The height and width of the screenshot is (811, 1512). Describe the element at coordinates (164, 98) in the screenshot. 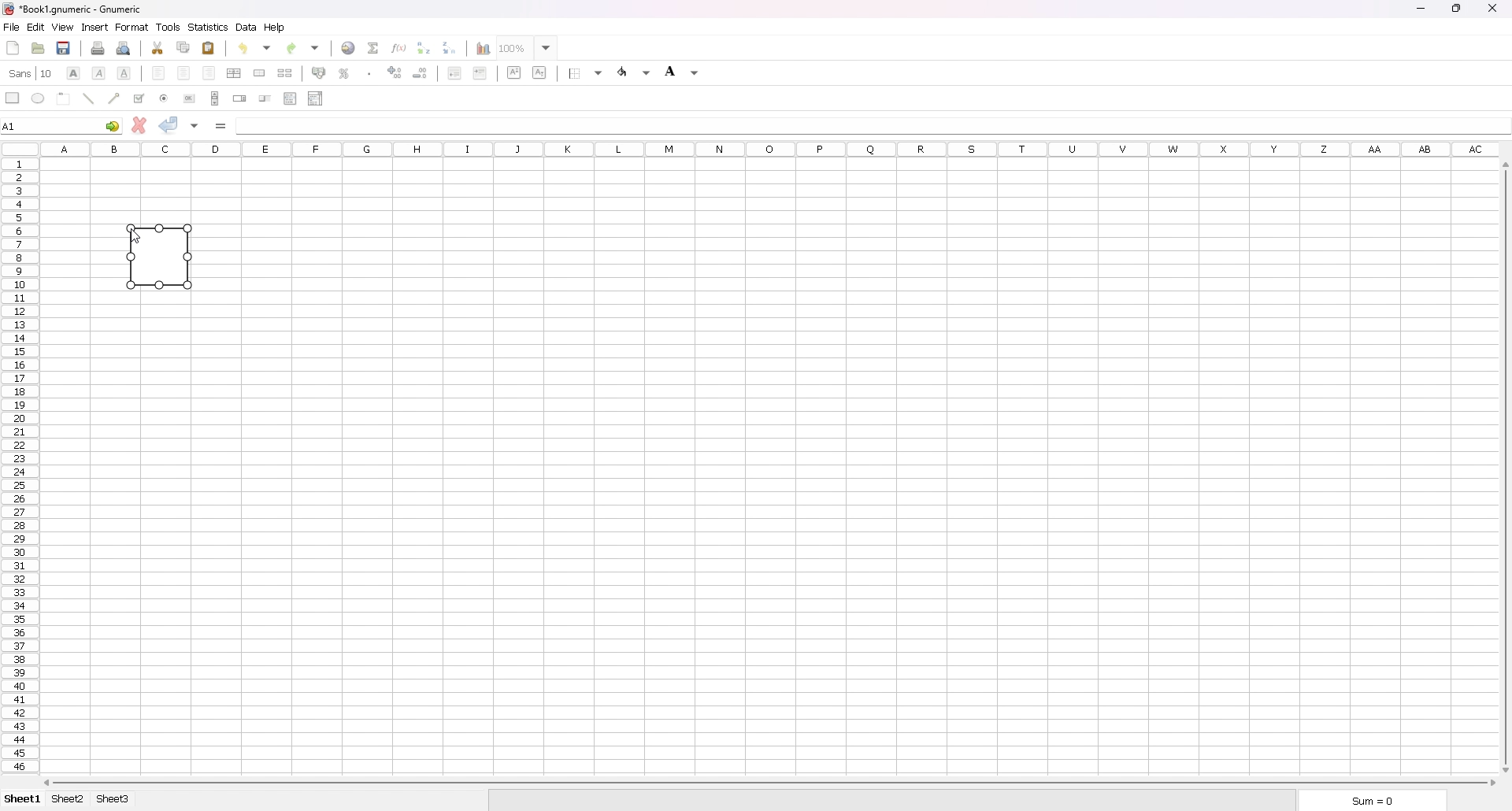

I see `radio button` at that location.